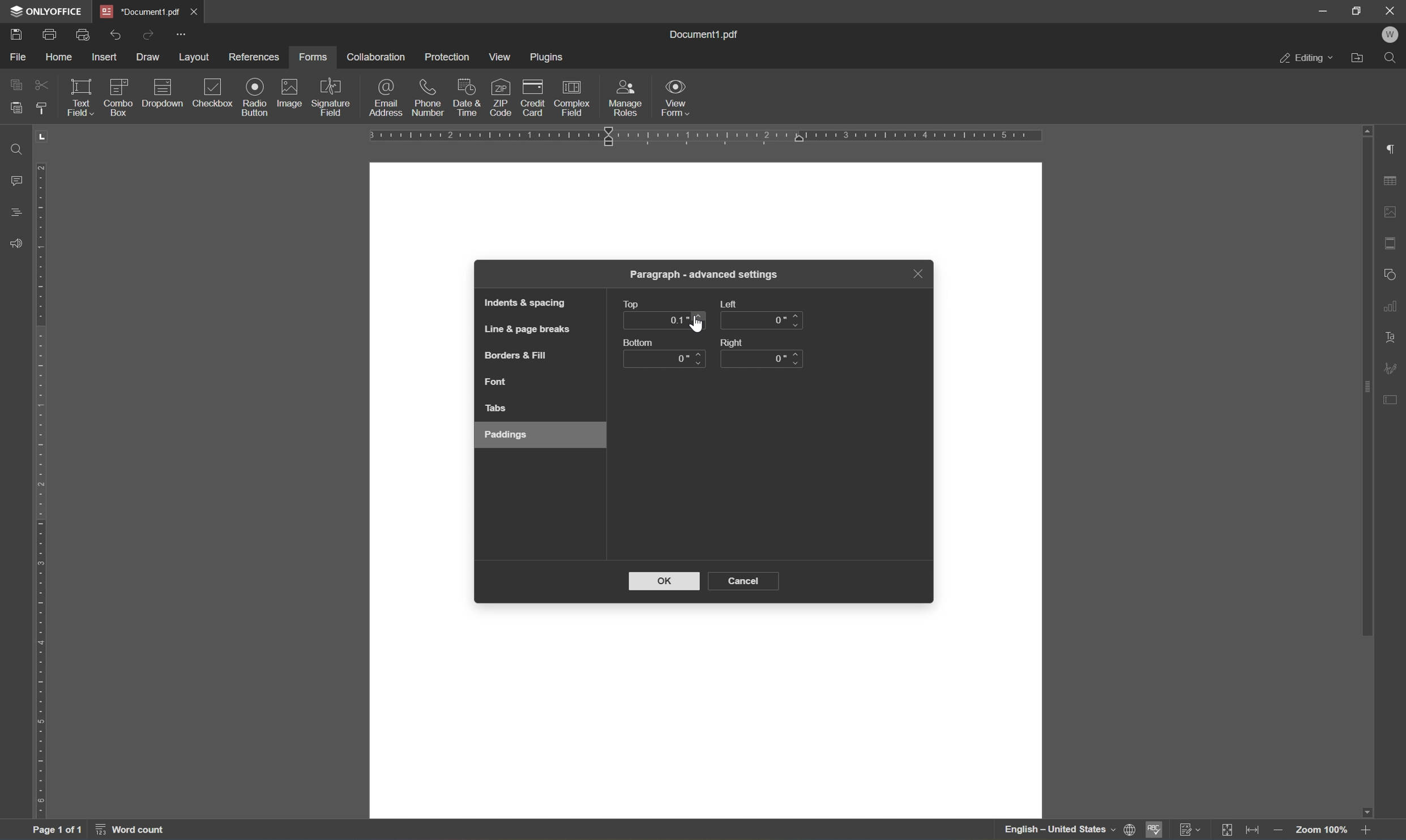 The height and width of the screenshot is (840, 1406). I want to click on file, so click(19, 55).